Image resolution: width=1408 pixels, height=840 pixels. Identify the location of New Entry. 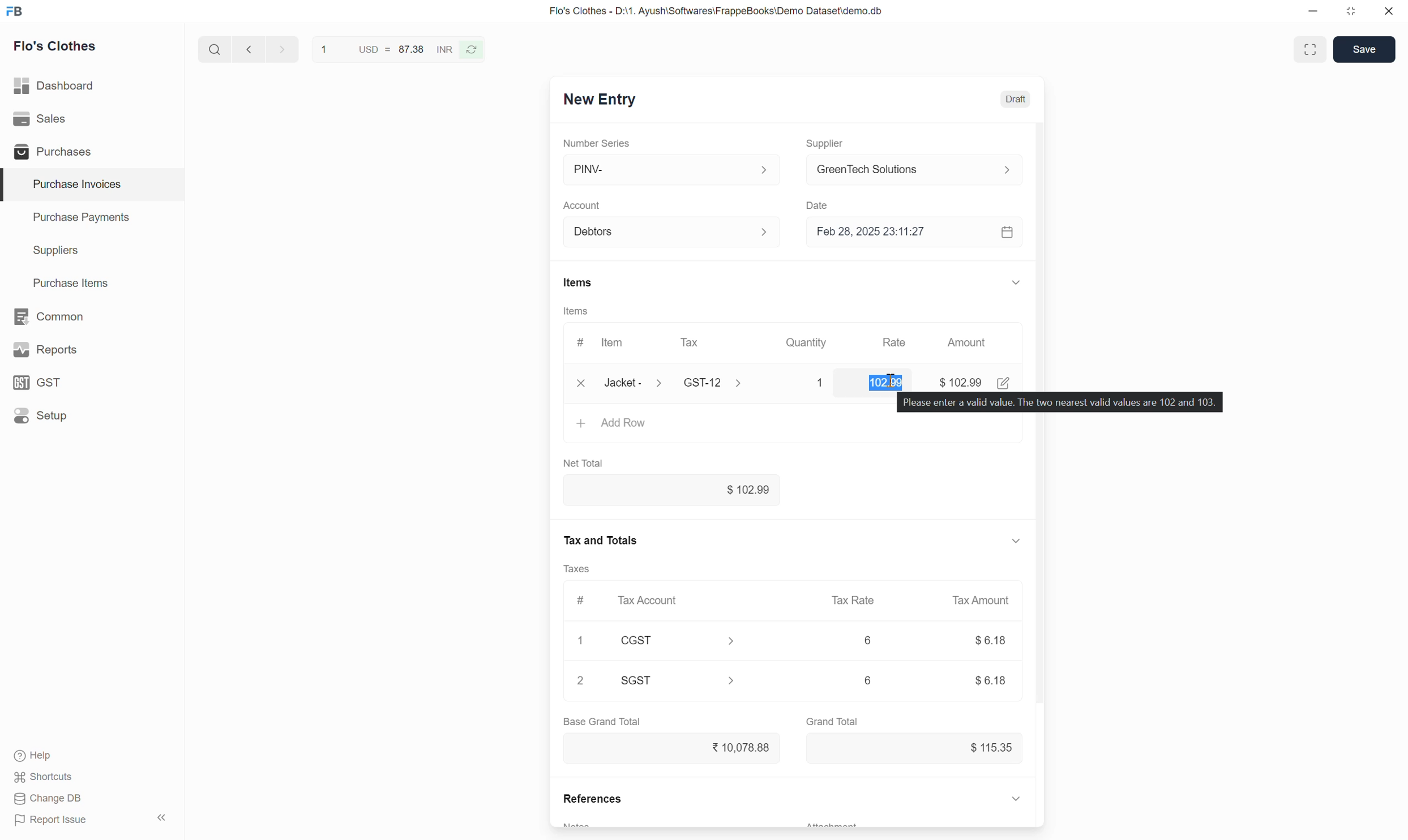
(600, 100).